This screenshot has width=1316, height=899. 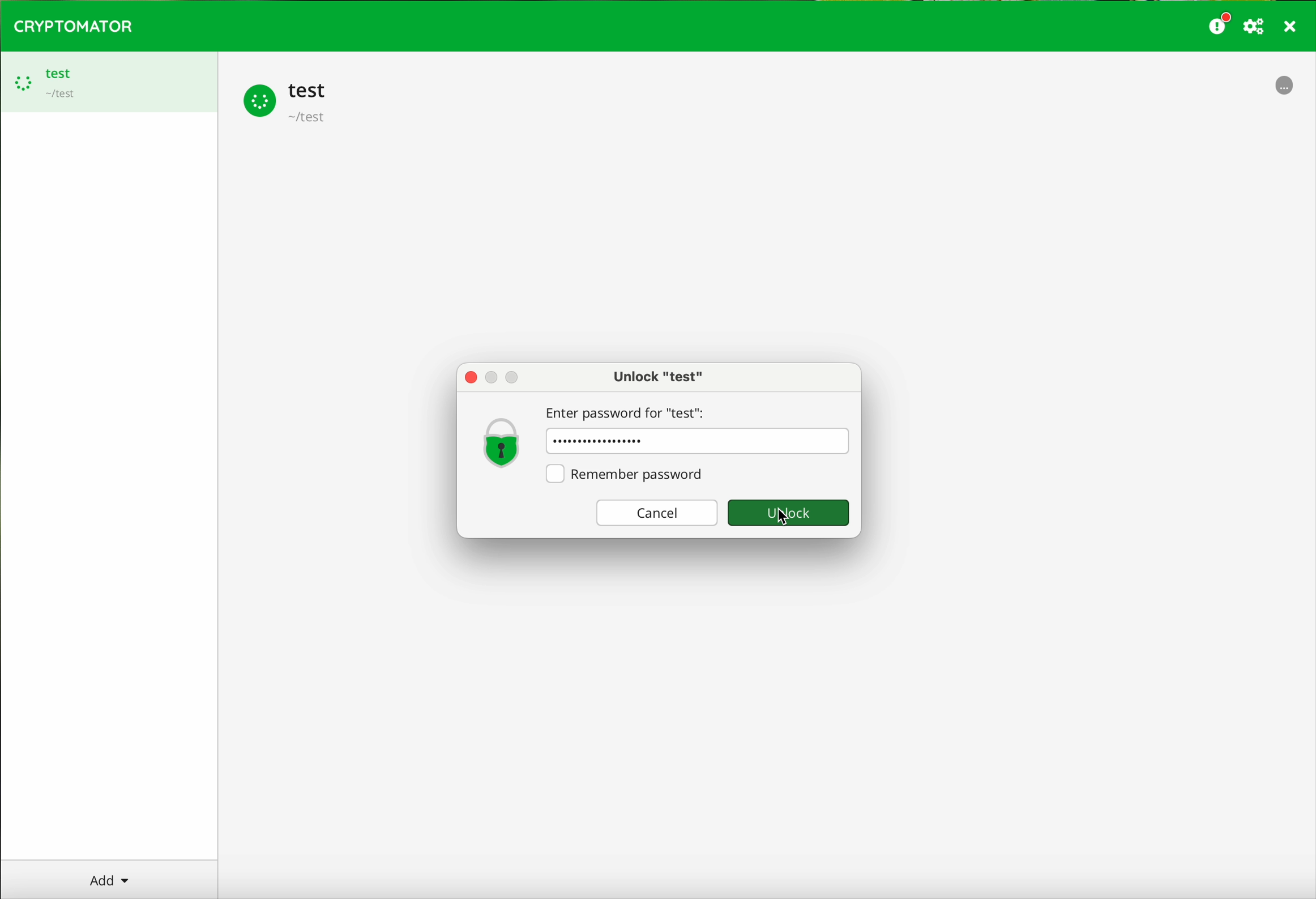 I want to click on unlocking vault, so click(x=1285, y=90).